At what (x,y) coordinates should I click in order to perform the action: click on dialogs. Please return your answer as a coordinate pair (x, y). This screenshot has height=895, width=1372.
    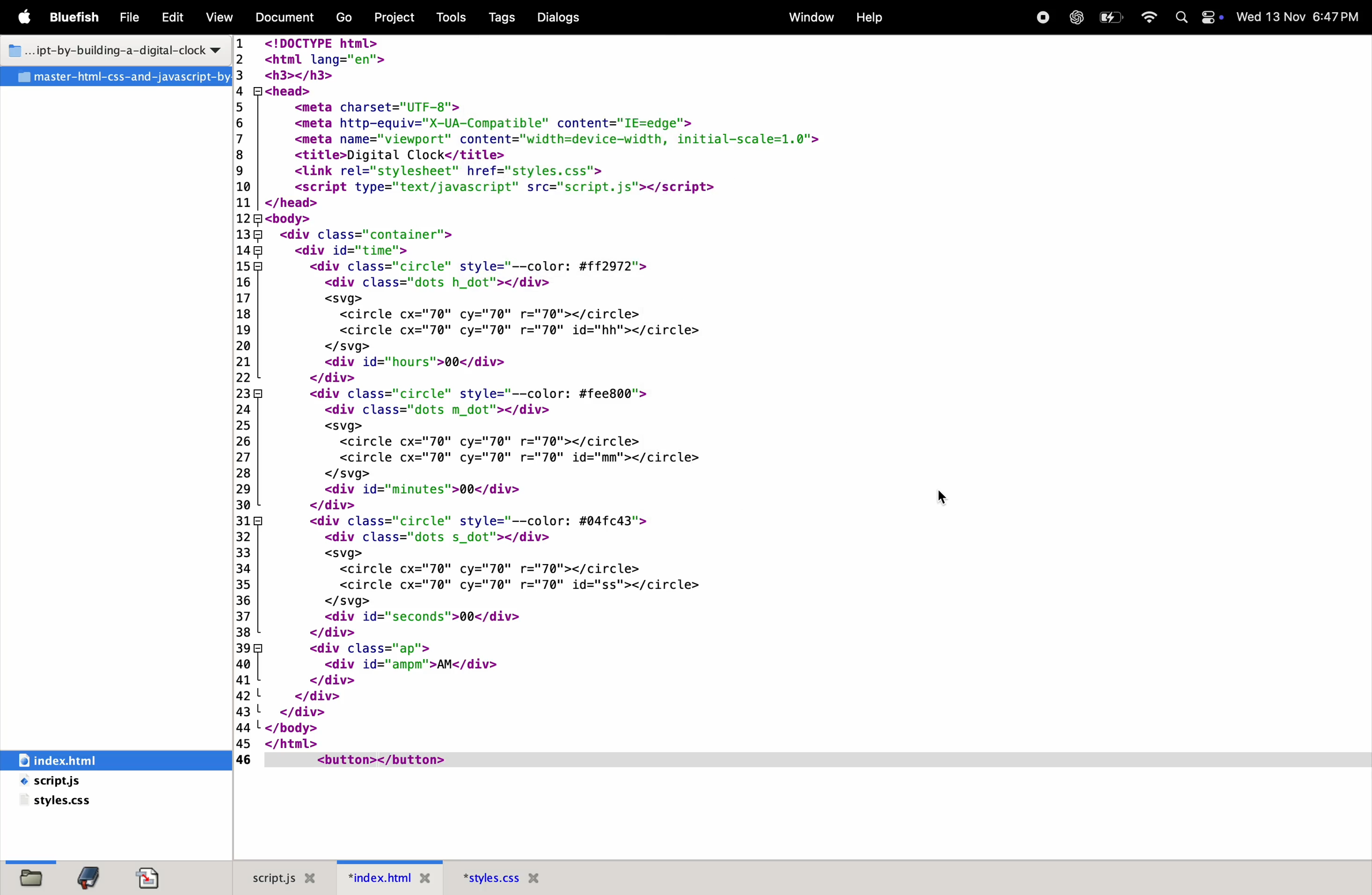
    Looking at the image, I should click on (574, 16).